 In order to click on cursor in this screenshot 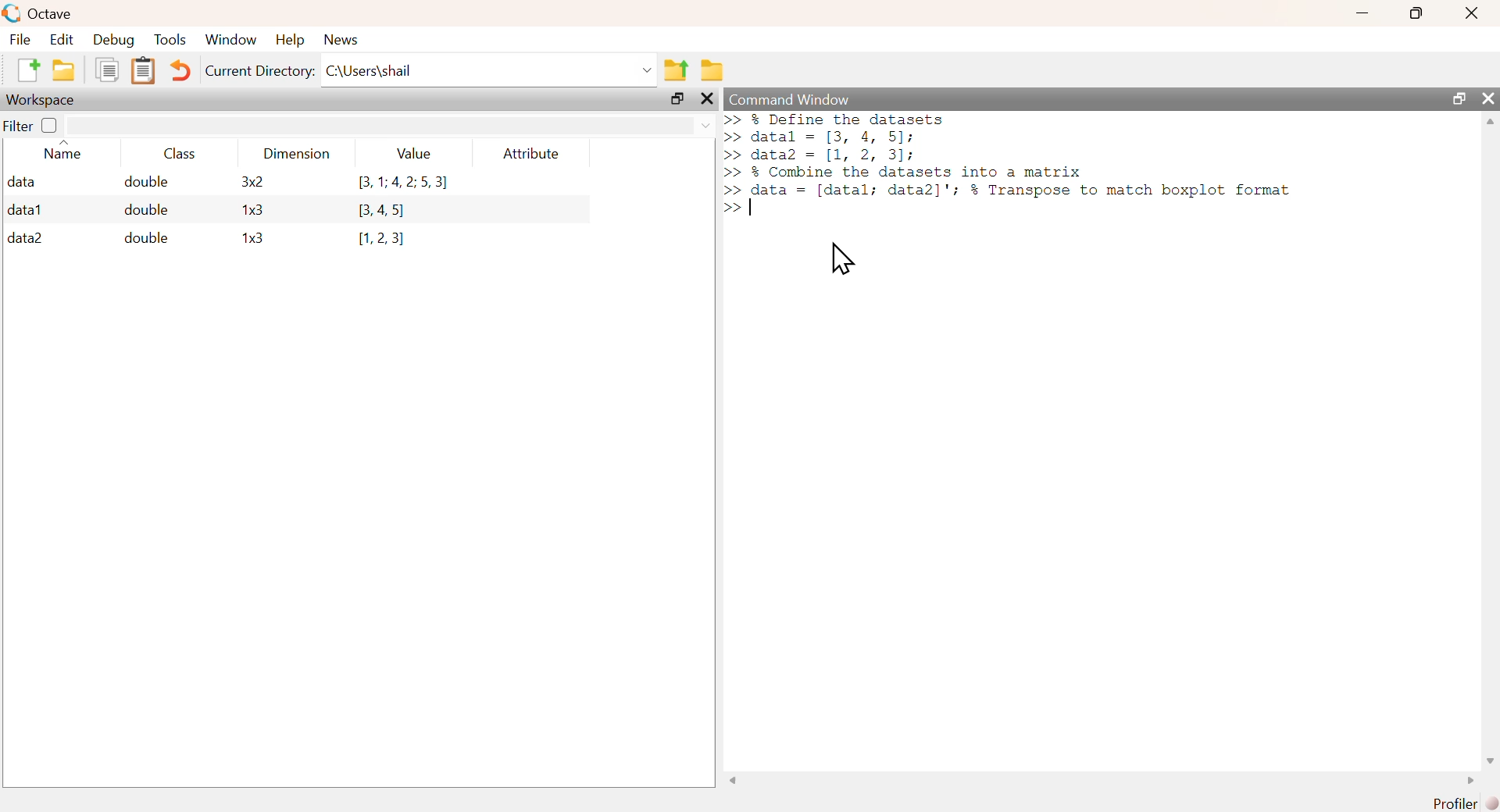, I will do `click(839, 260)`.